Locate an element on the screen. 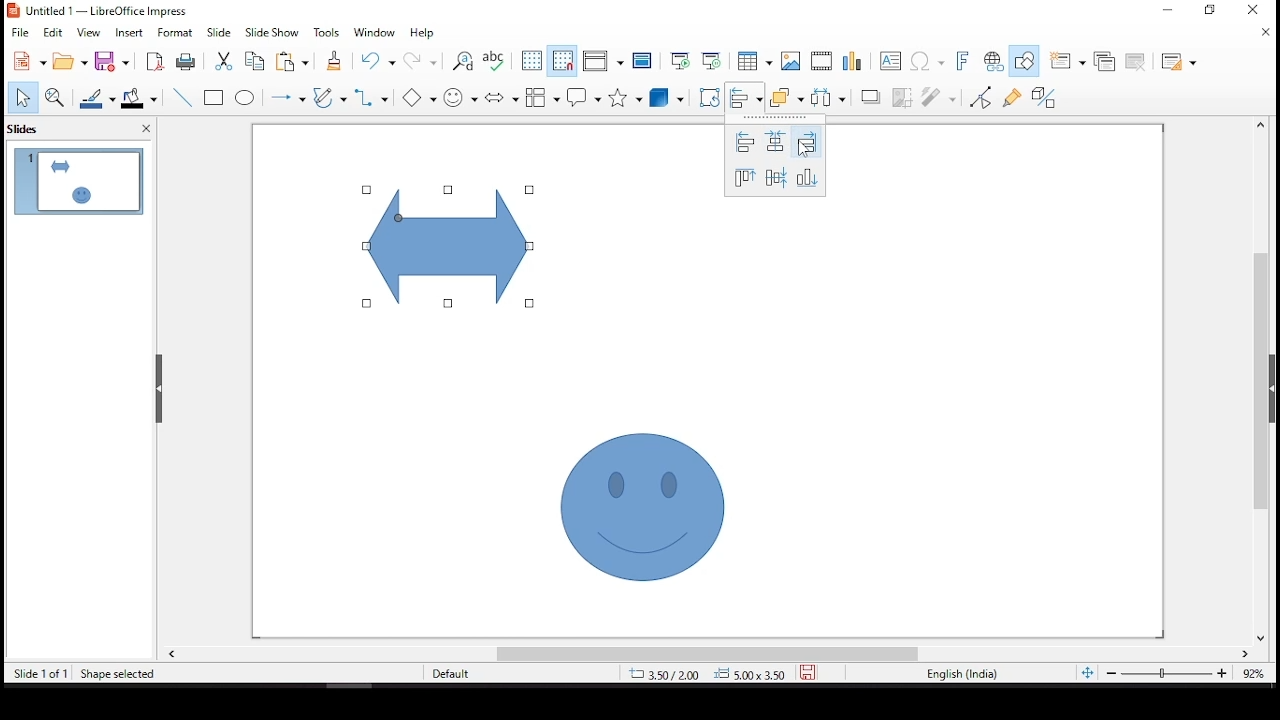 The width and height of the screenshot is (1280, 720). help is located at coordinates (422, 36).